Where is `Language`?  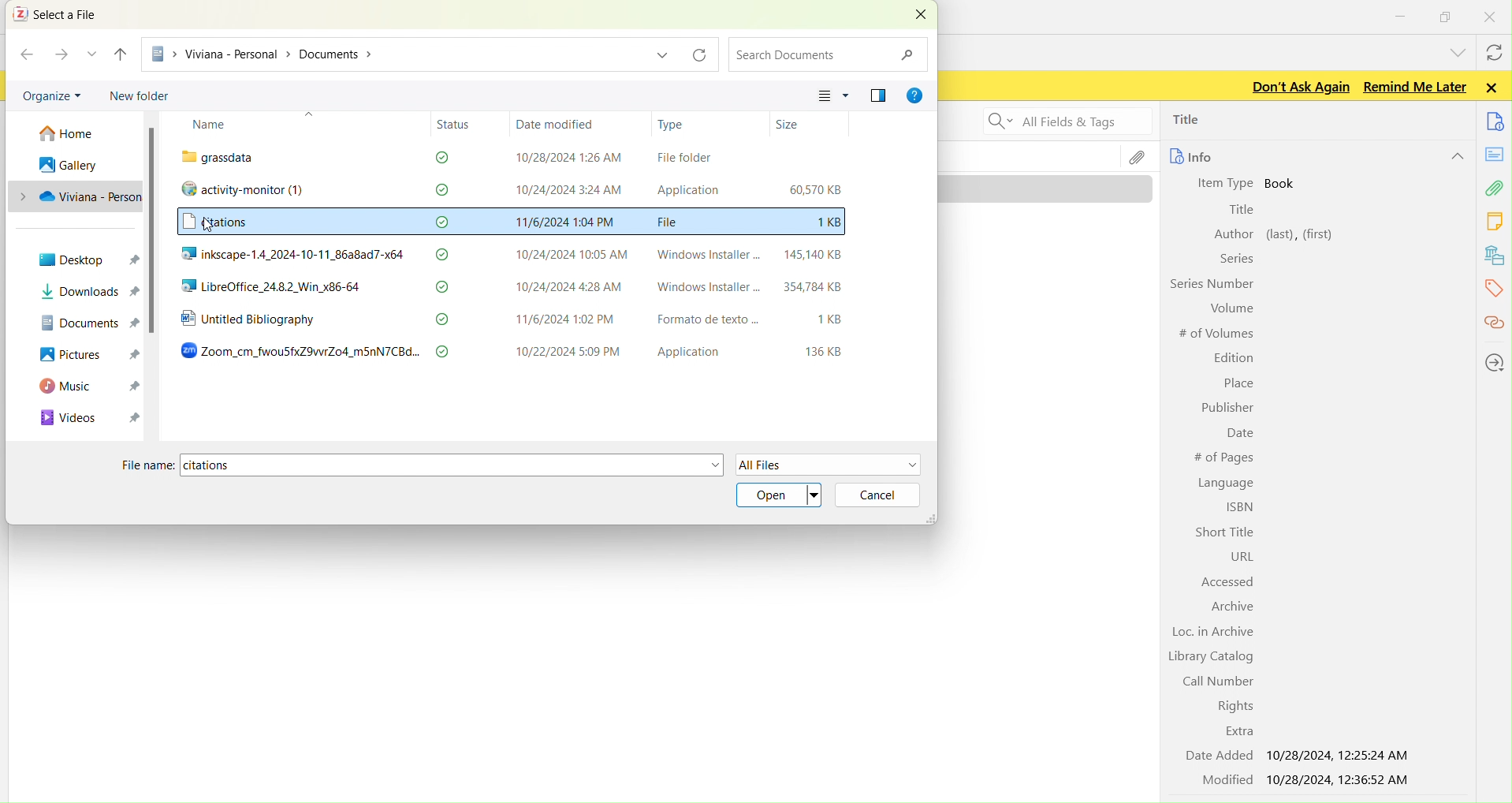
Language is located at coordinates (1226, 483).